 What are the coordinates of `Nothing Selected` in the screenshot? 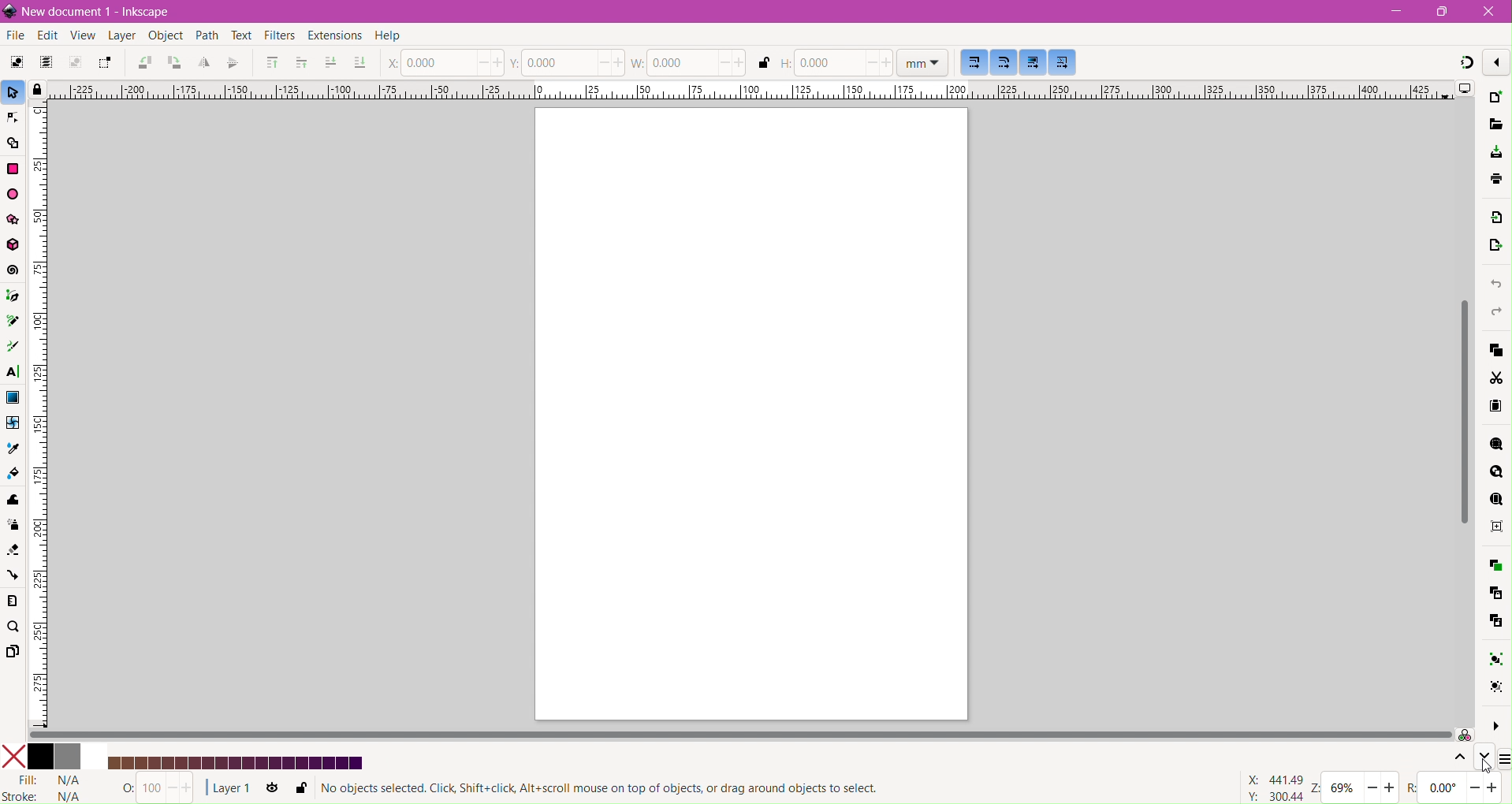 It's located at (151, 789).